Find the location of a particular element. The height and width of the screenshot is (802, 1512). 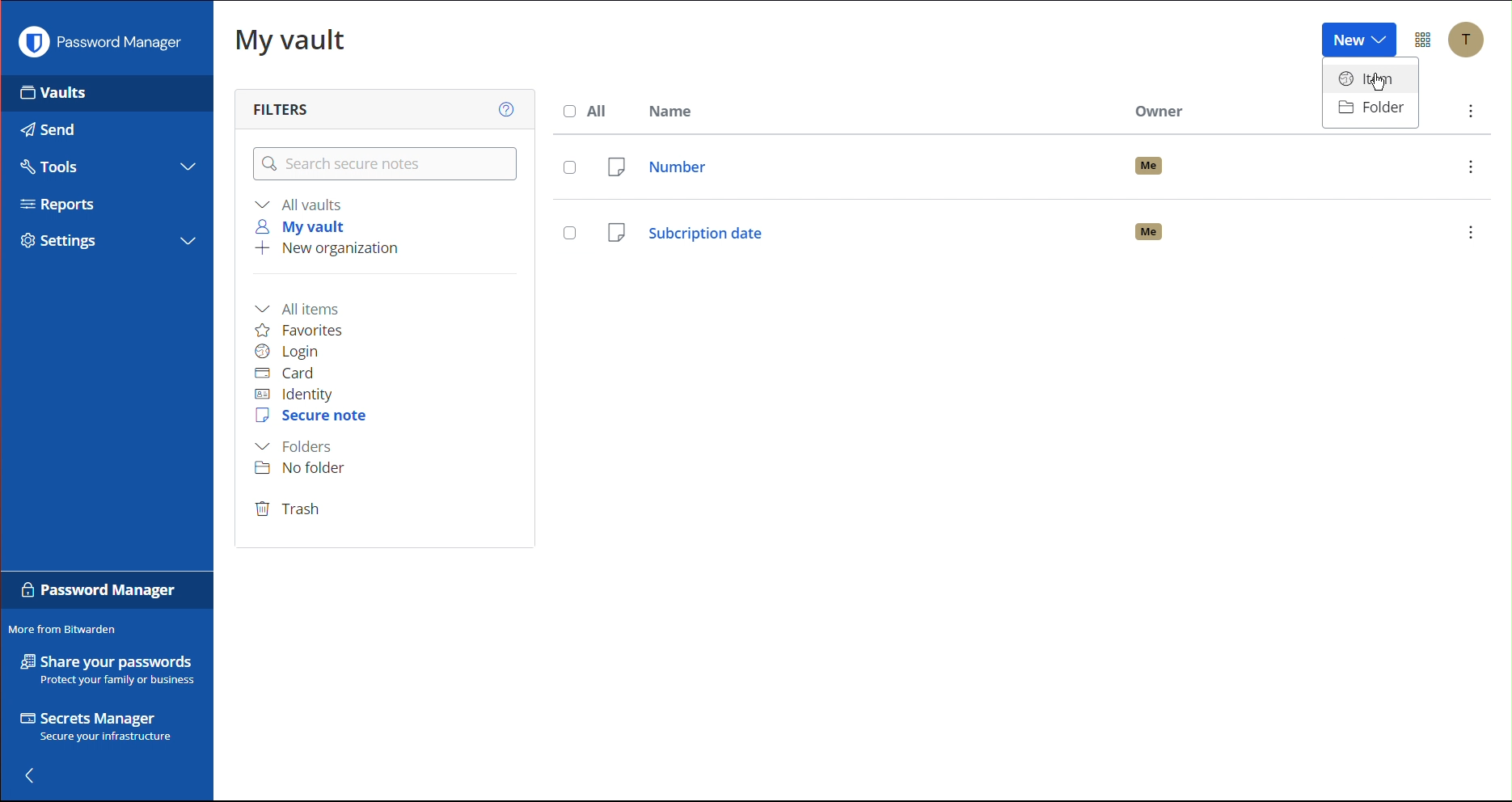

Settings is located at coordinates (59, 243).